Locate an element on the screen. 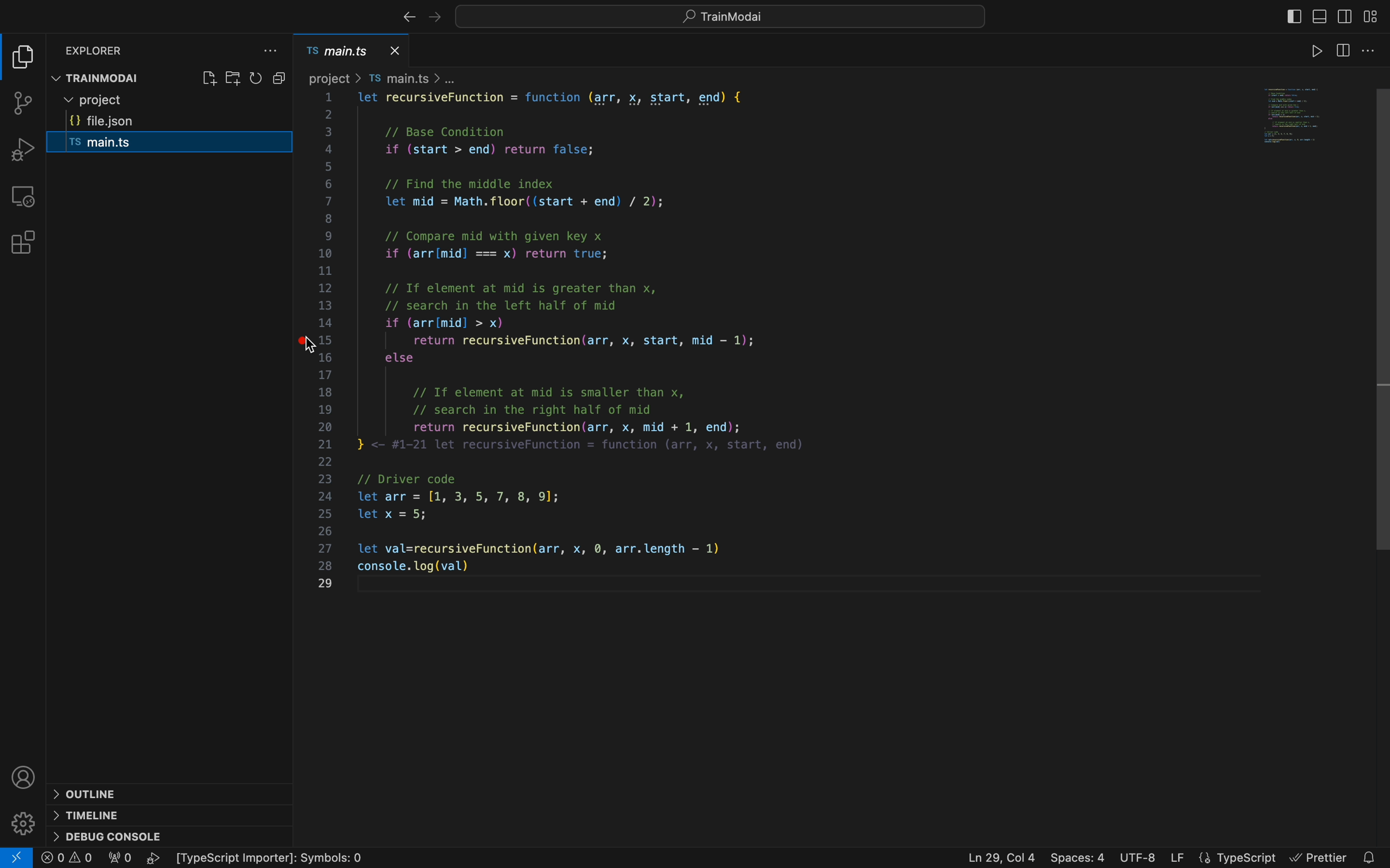 The height and width of the screenshot is (868, 1390). timeline is located at coordinates (96, 816).